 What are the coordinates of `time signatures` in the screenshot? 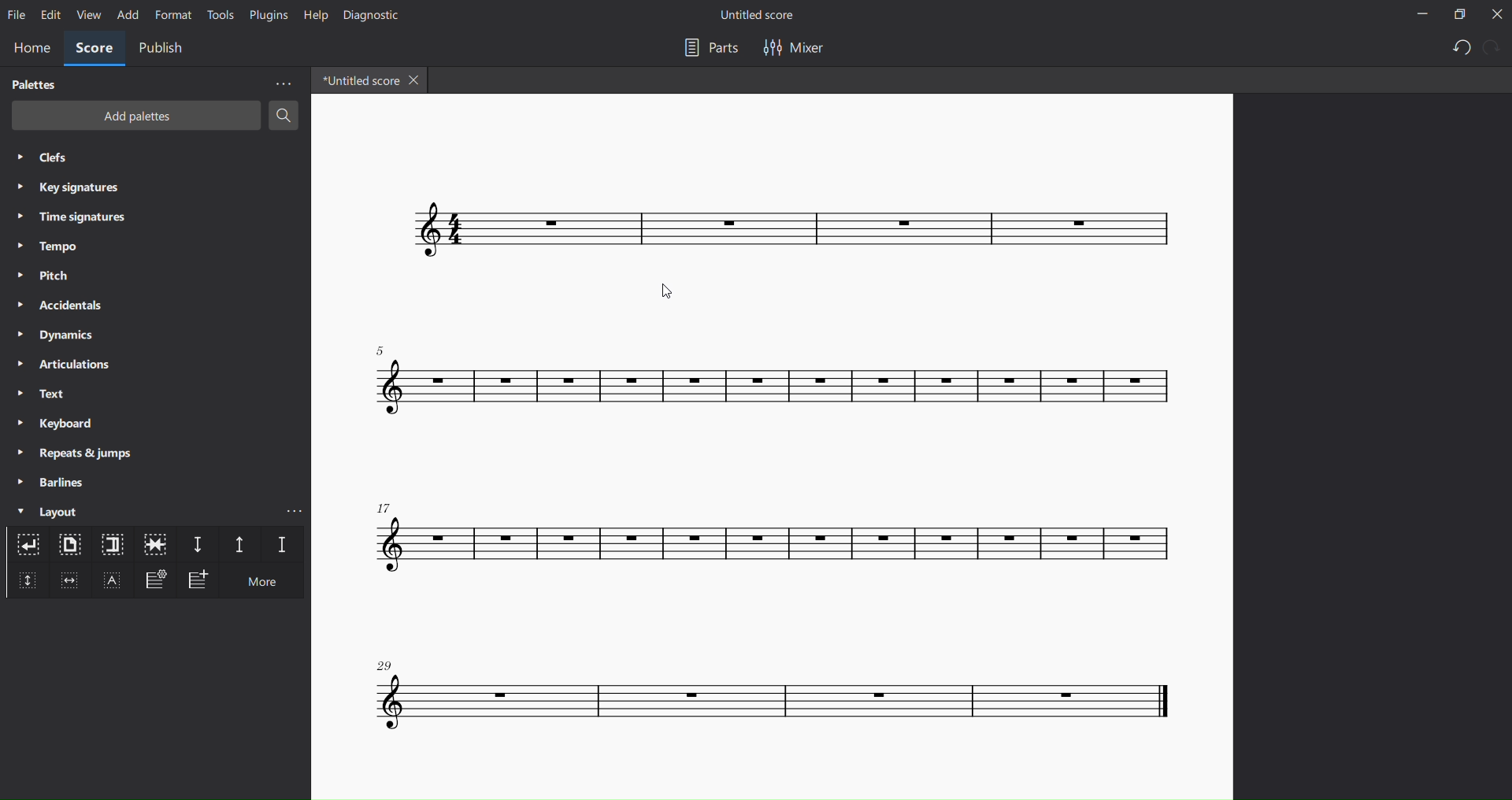 It's located at (80, 216).